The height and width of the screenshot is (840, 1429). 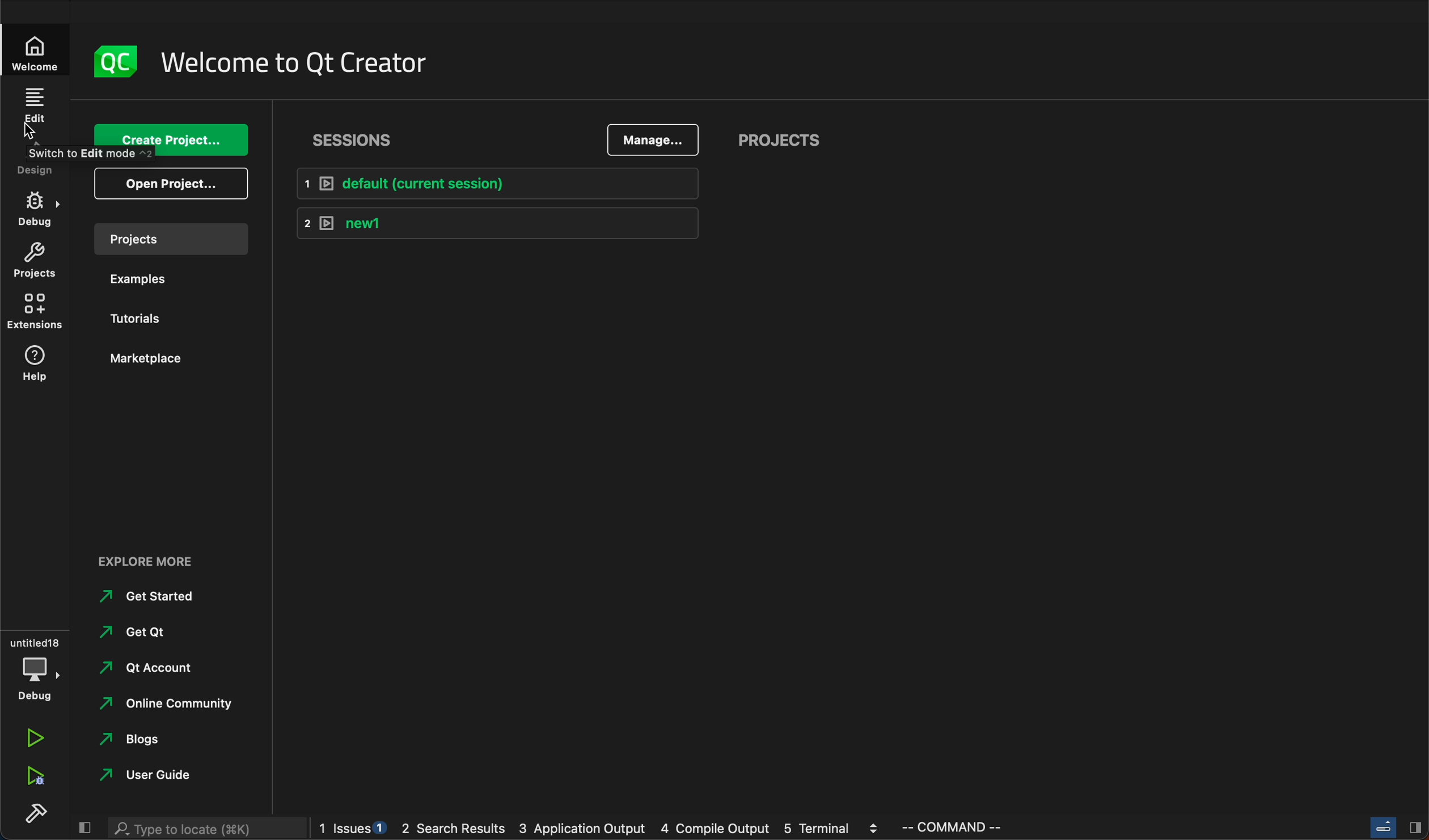 What do you see at coordinates (498, 224) in the screenshot?
I see `new1` at bounding box center [498, 224].